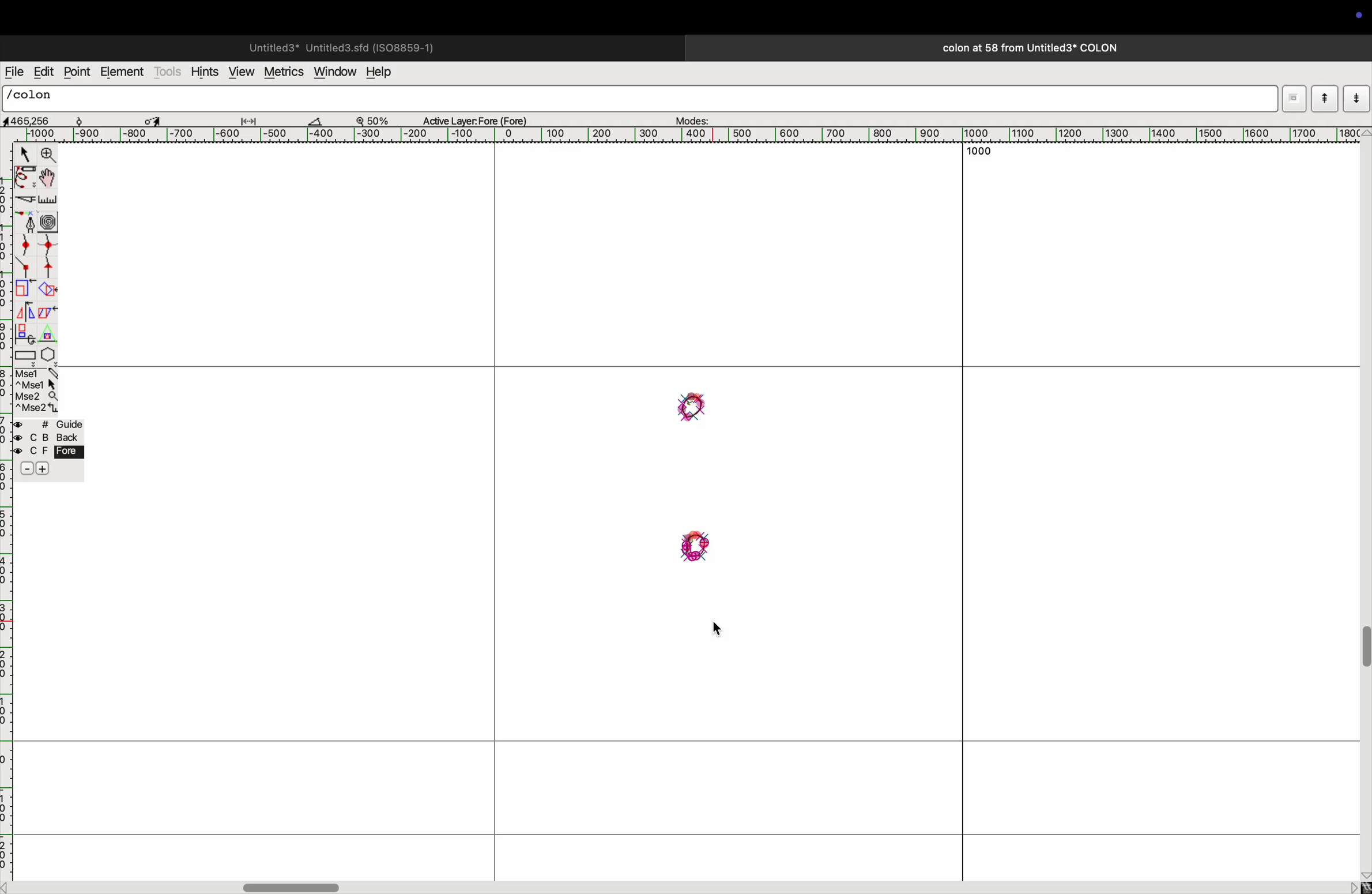 The width and height of the screenshot is (1372, 894). I want to click on fountain pen, so click(26, 221).